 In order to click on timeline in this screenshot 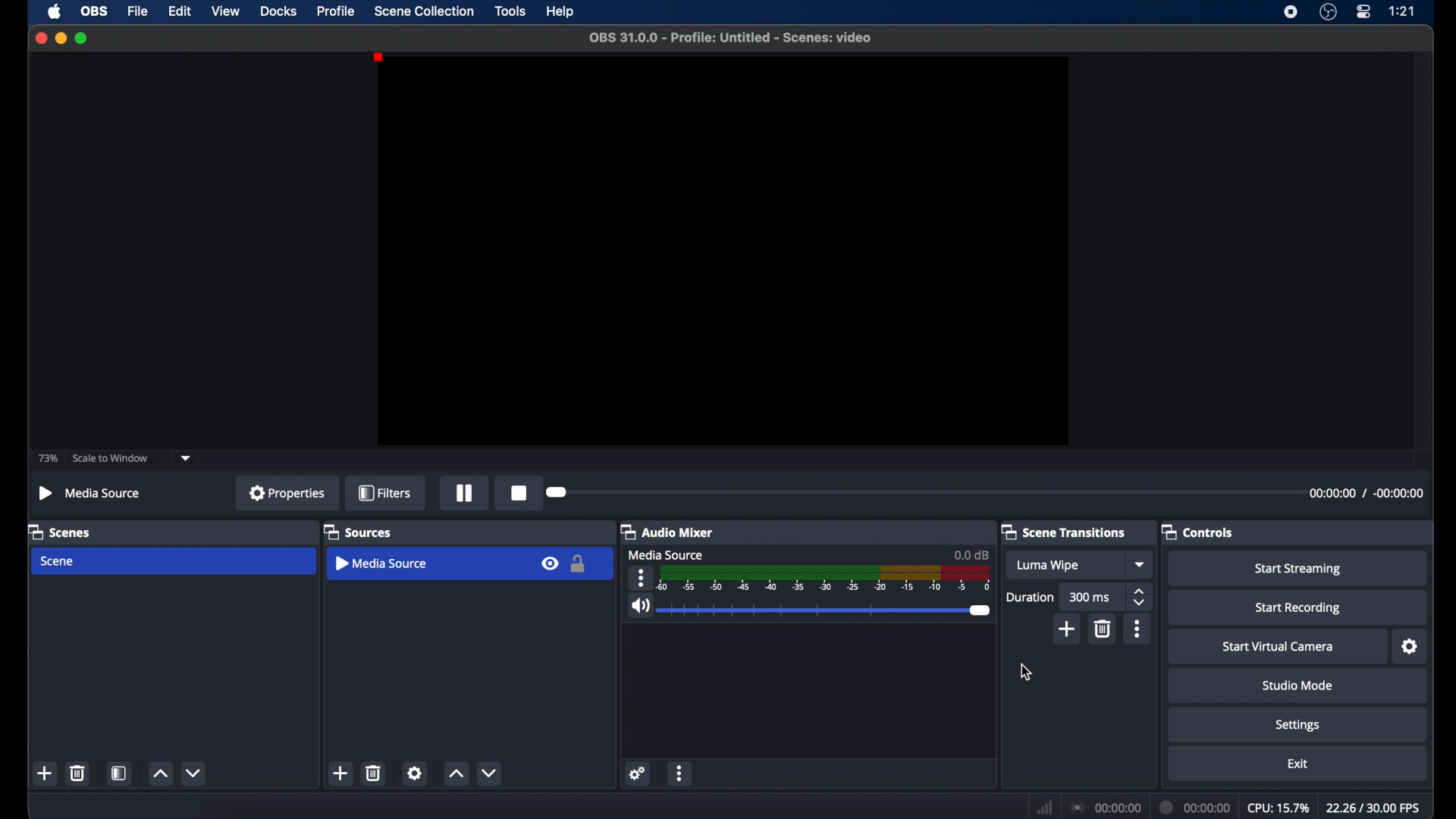, I will do `click(824, 579)`.